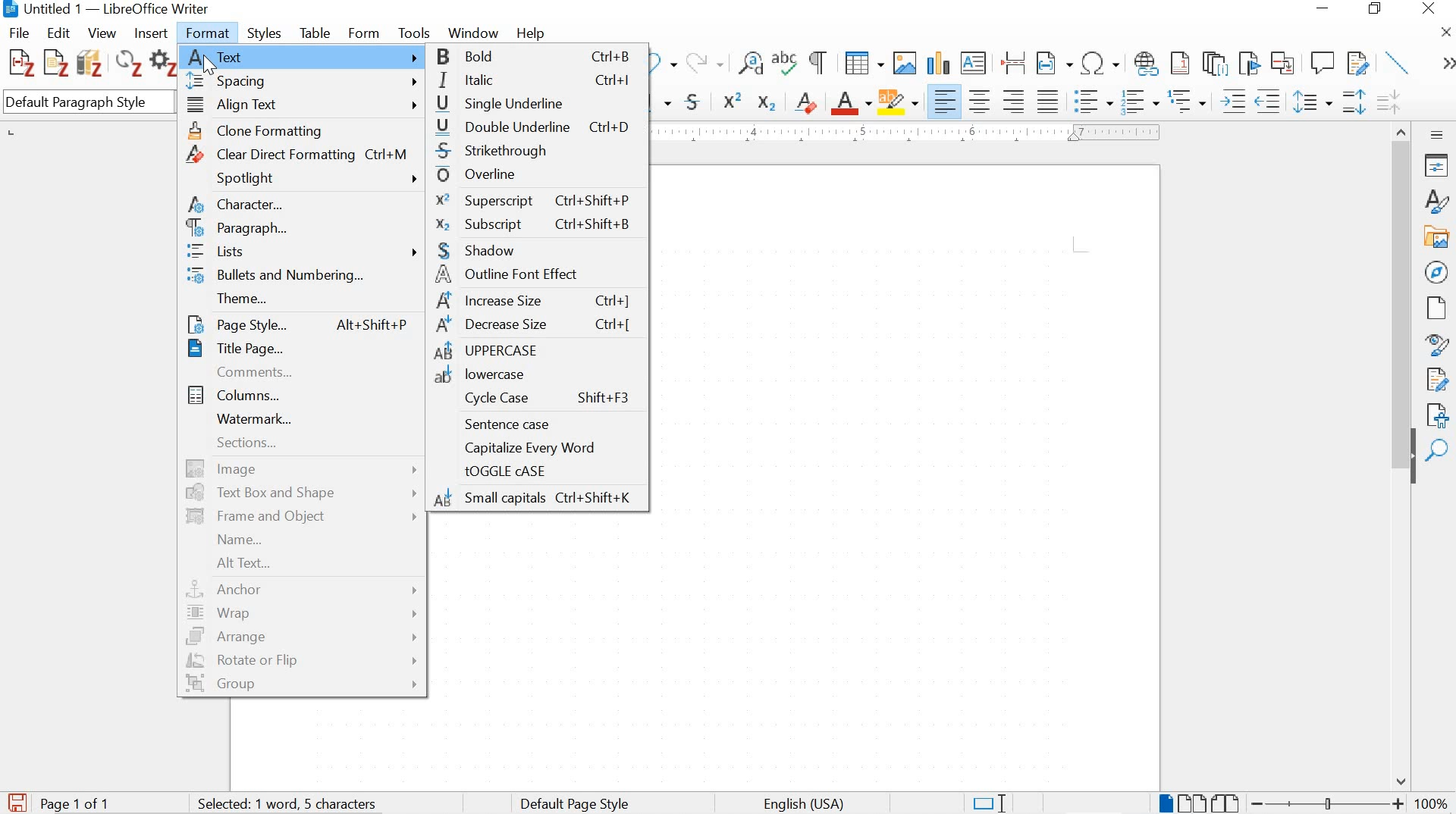 Image resolution: width=1456 pixels, height=814 pixels. I want to click on zoom slider, so click(1323, 803).